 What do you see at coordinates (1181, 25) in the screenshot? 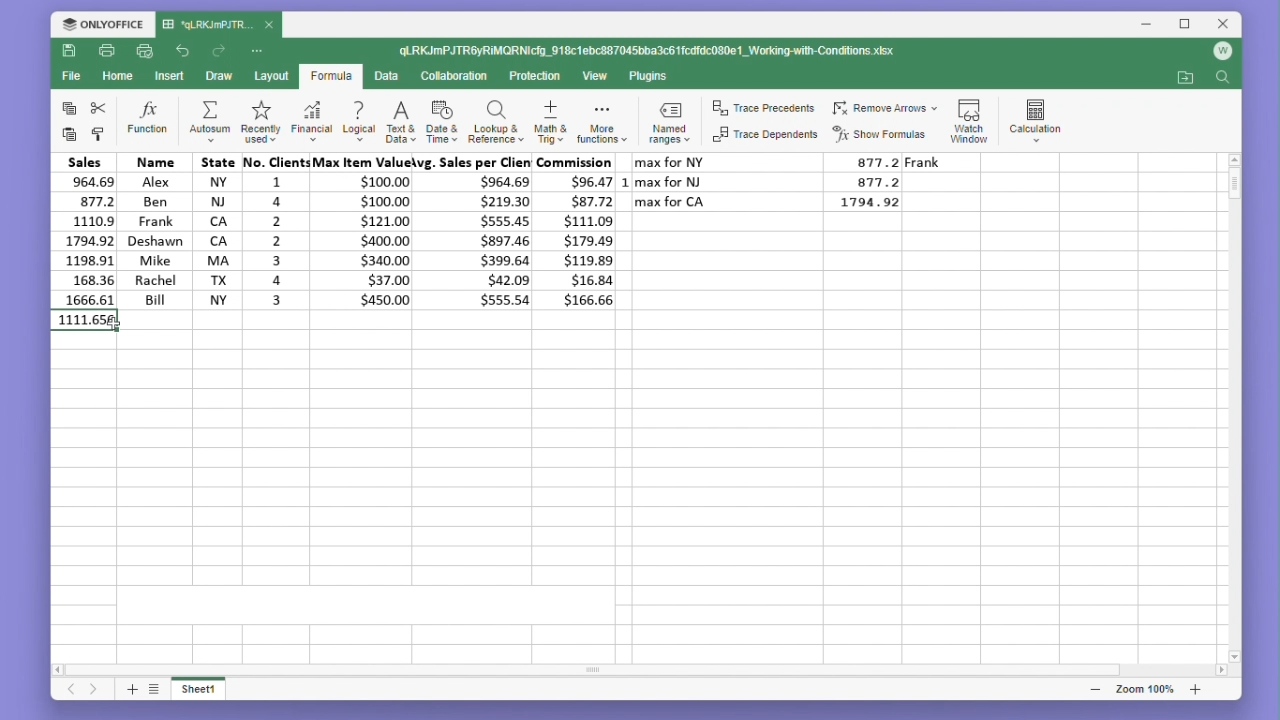
I see `Maximize` at bounding box center [1181, 25].